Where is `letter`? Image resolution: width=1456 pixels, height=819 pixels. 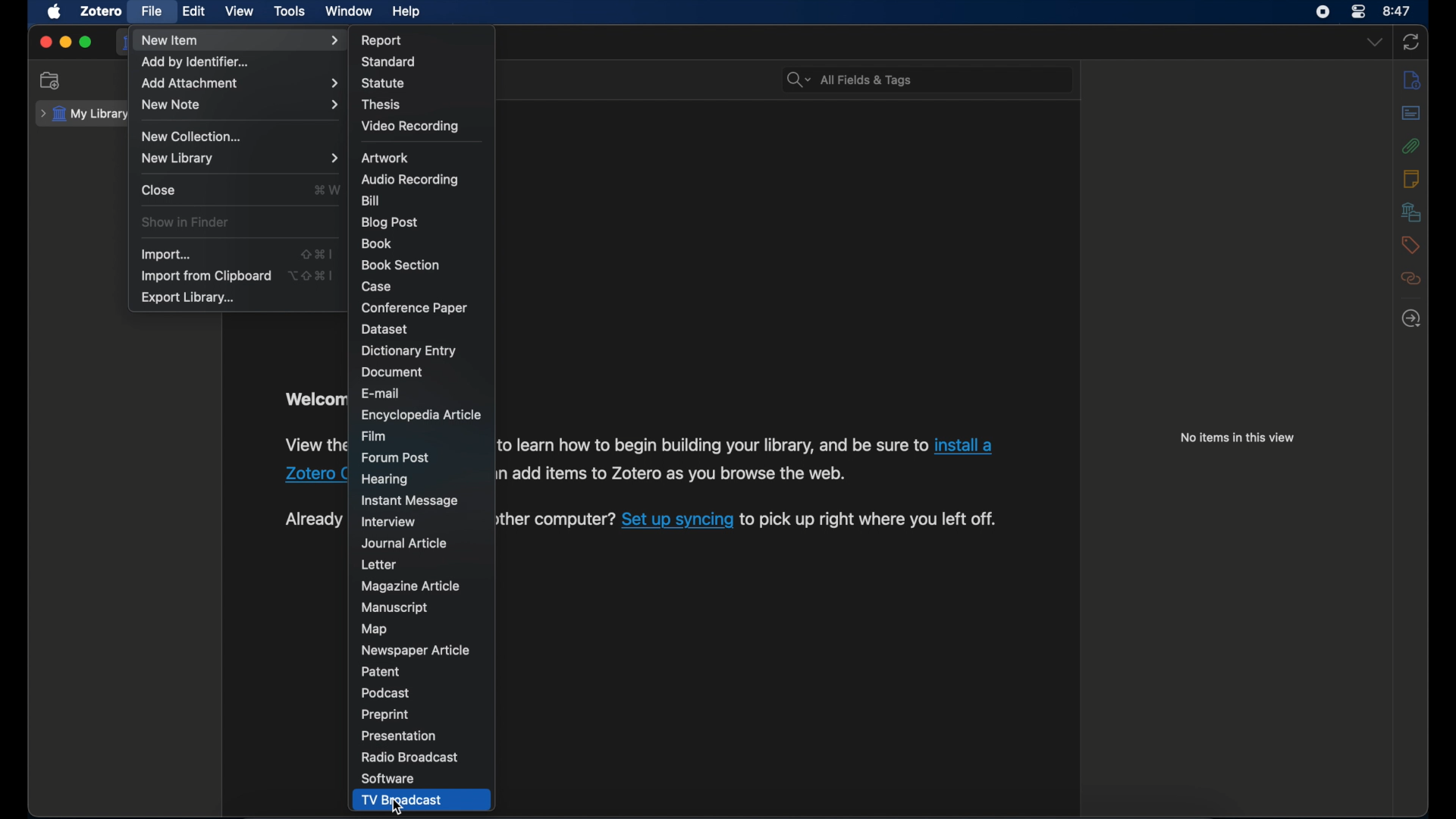 letter is located at coordinates (378, 564).